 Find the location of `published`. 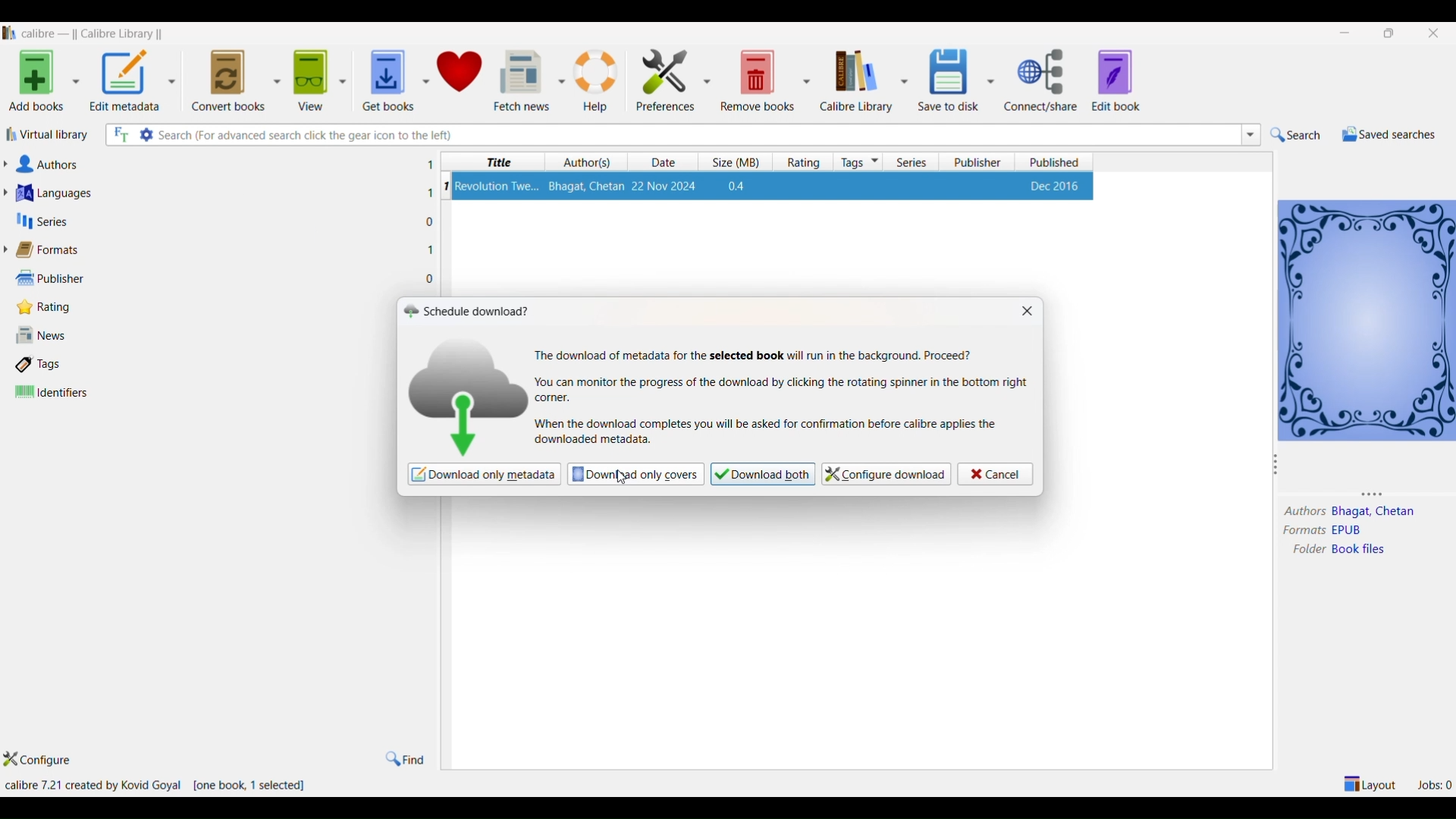

published is located at coordinates (1055, 162).